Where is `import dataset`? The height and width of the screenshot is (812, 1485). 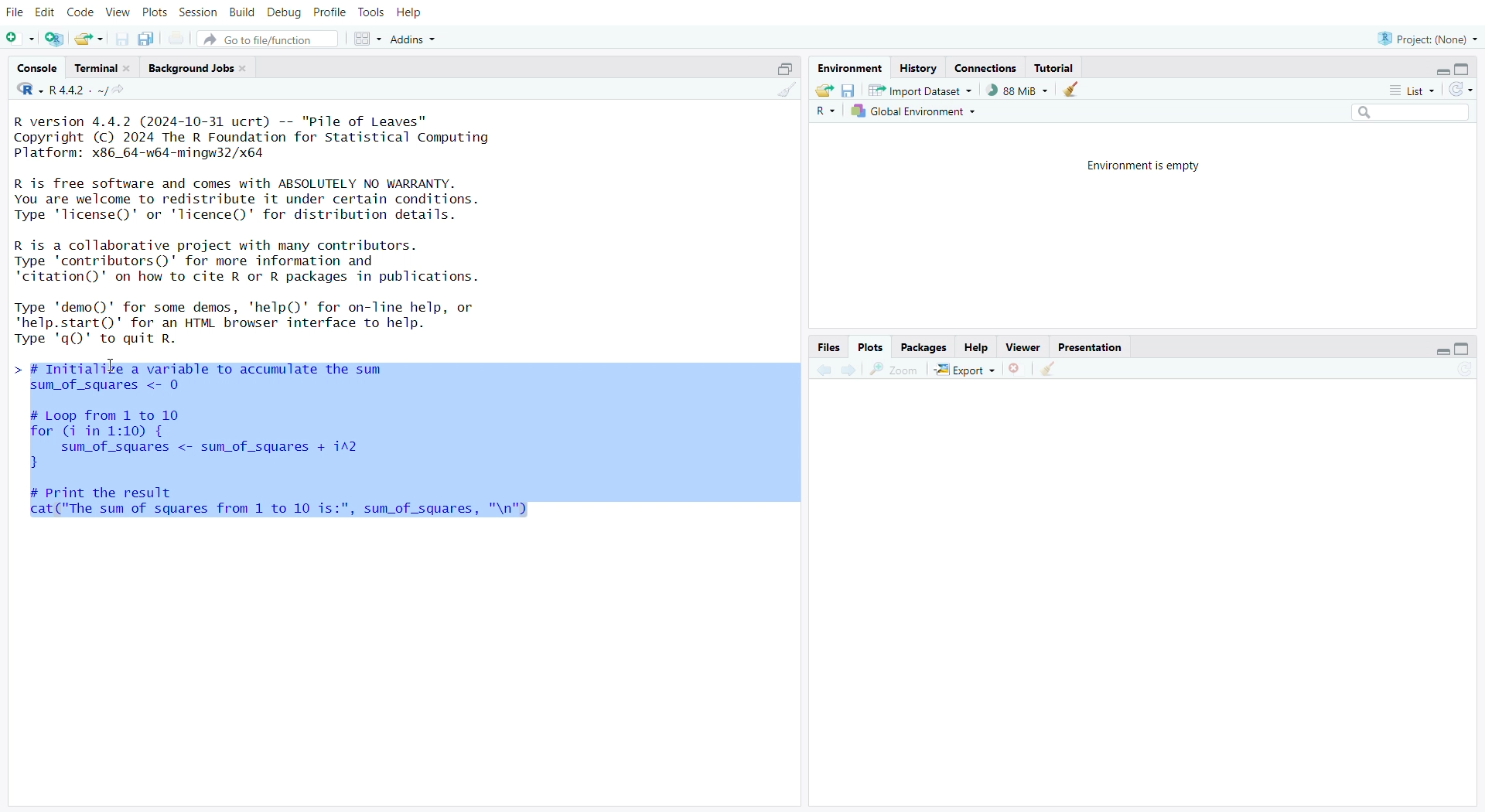
import dataset is located at coordinates (926, 90).